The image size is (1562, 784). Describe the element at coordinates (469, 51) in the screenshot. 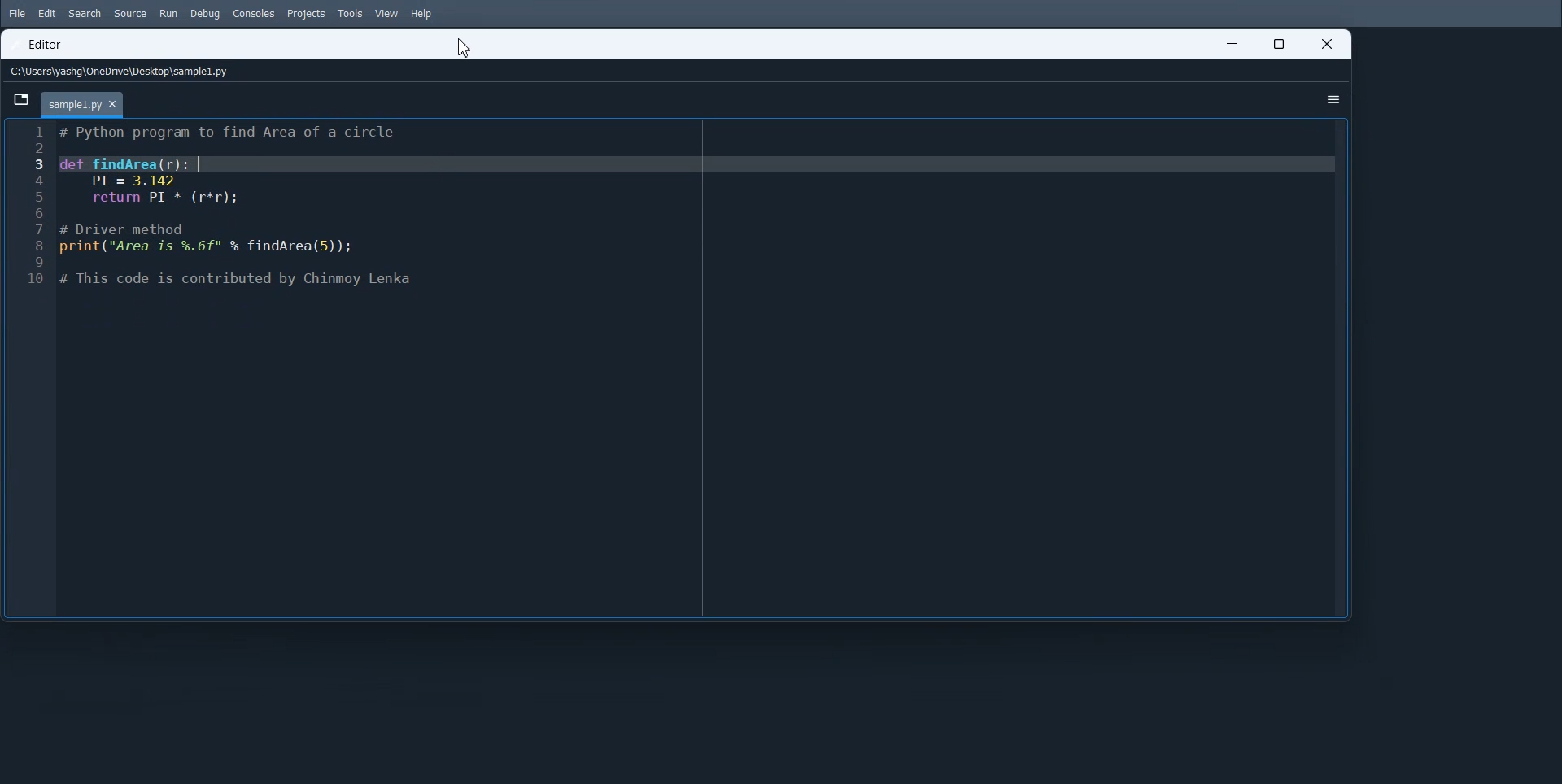

I see `Cursor` at that location.